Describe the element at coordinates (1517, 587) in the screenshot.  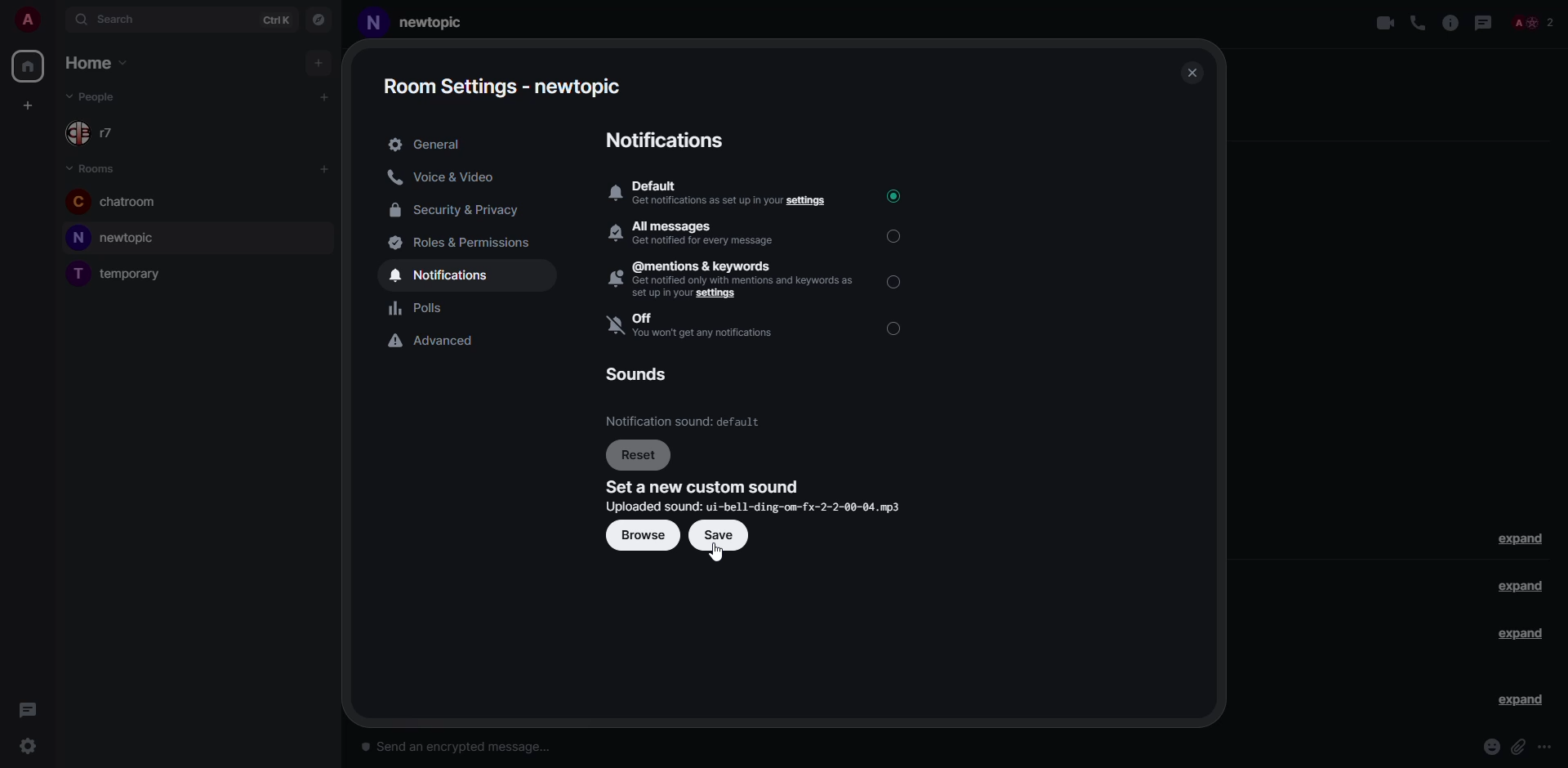
I see `expand` at that location.